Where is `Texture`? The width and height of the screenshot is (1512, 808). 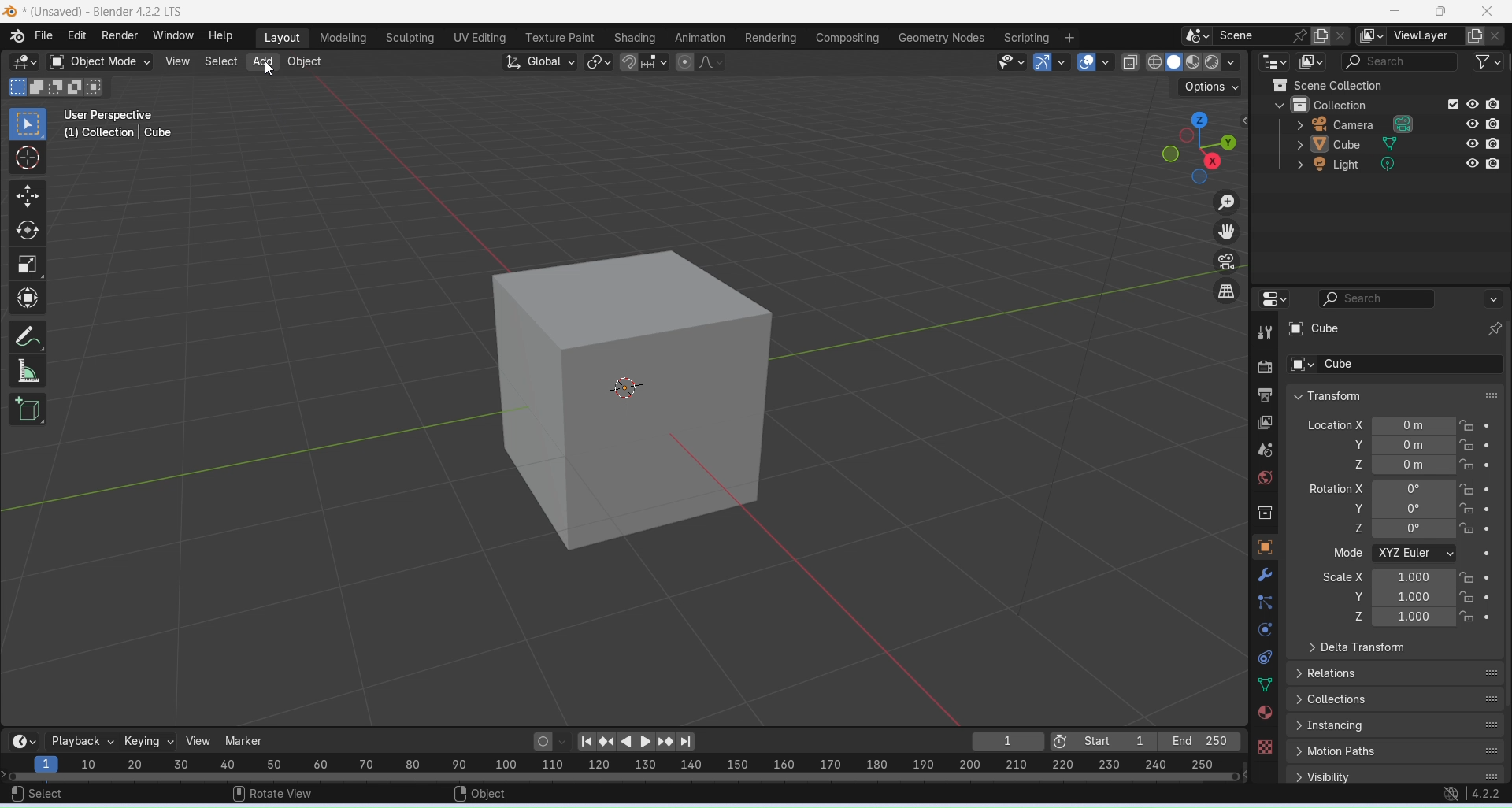 Texture is located at coordinates (1264, 747).